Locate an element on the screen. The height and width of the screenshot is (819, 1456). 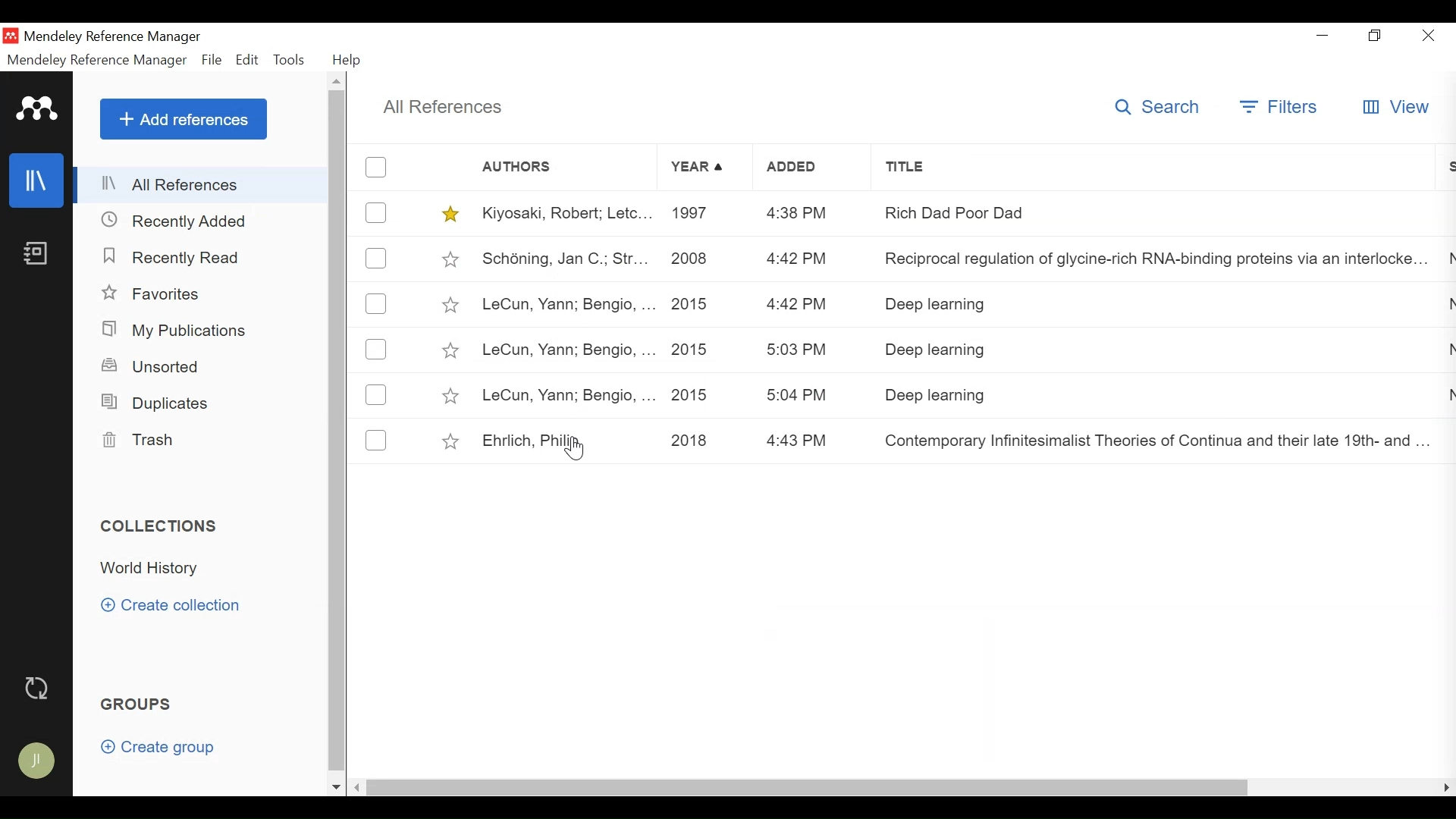
(un)select is located at coordinates (377, 212).